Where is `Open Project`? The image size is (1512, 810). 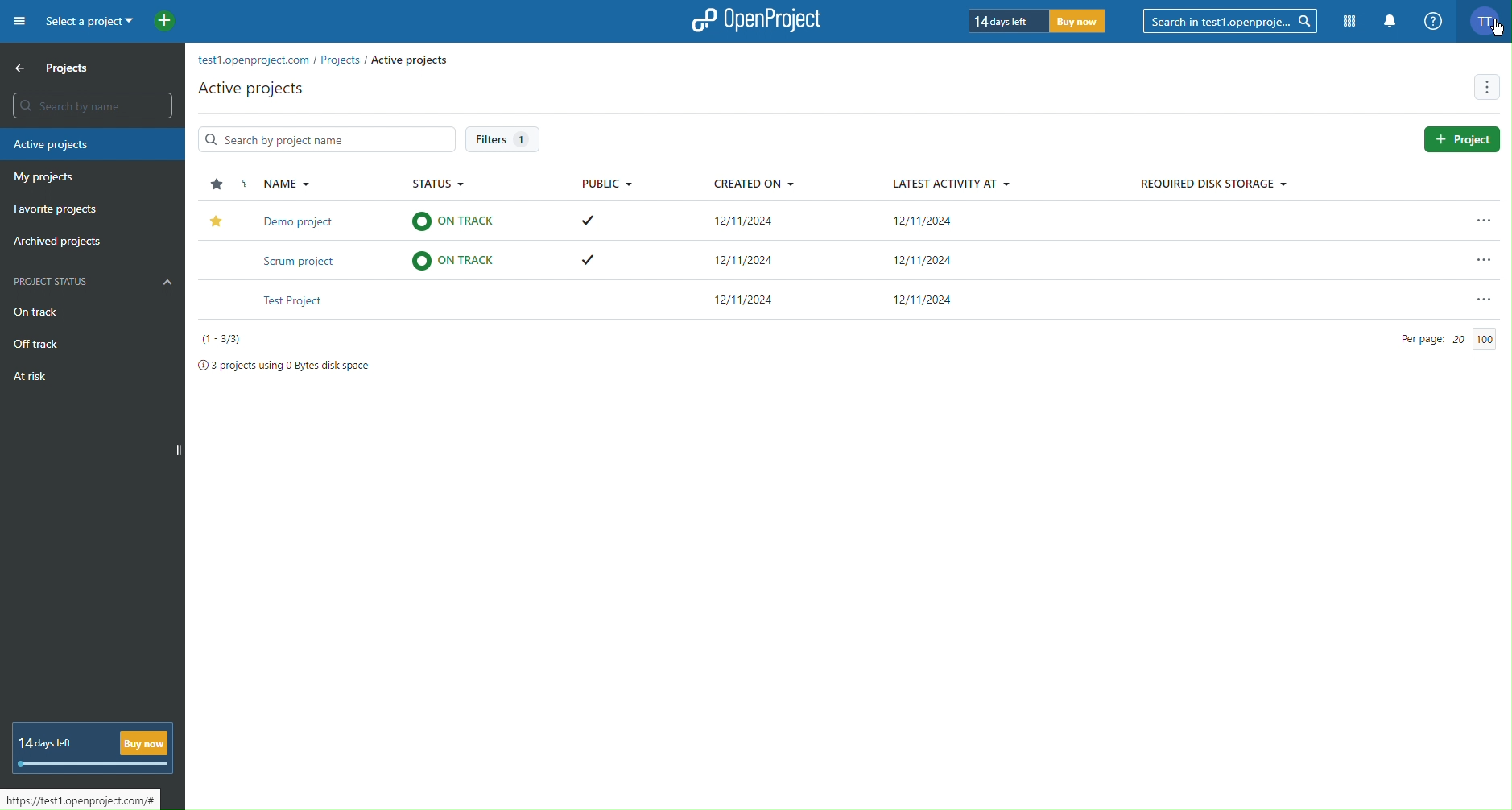
Open Project is located at coordinates (758, 22).